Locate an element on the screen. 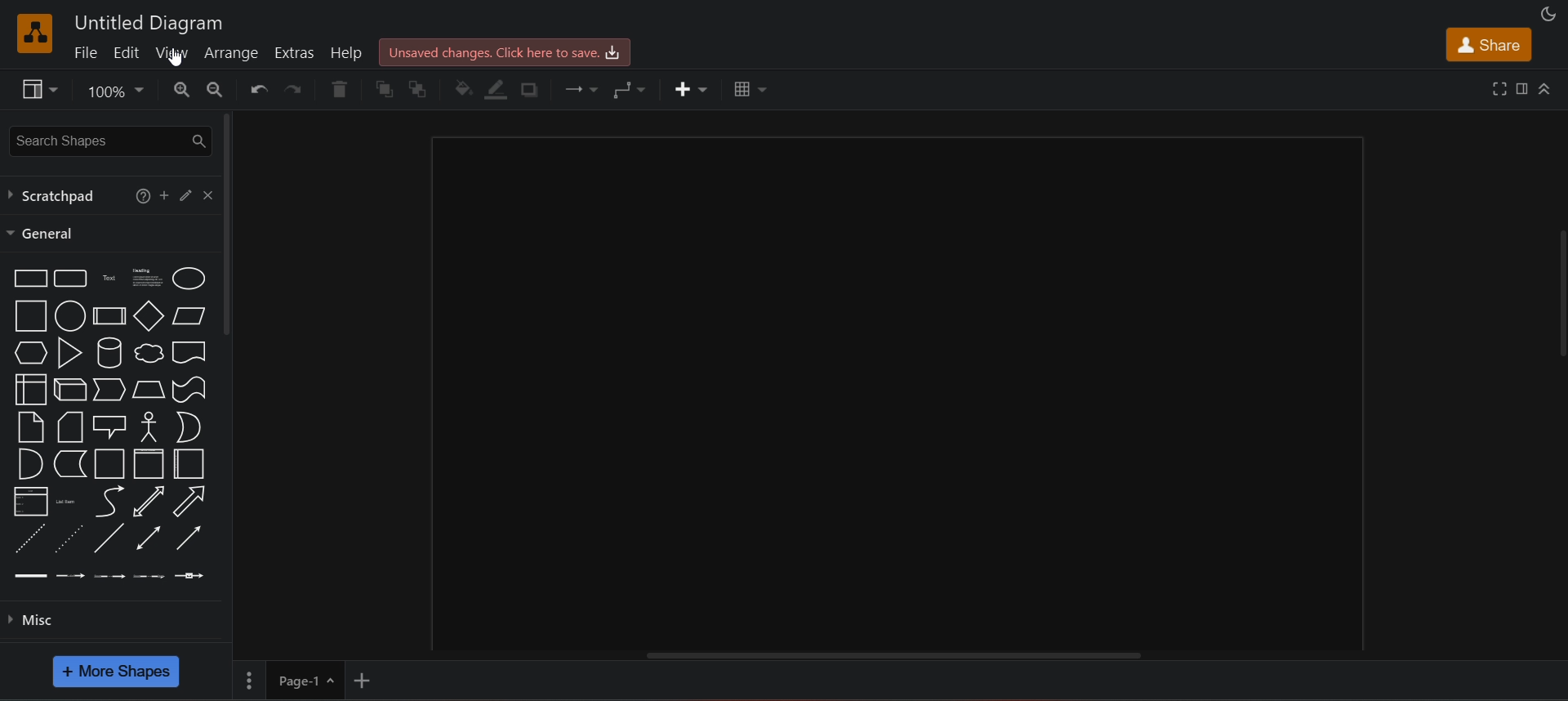 The image size is (1568, 701). cirsle is located at coordinates (69, 315).